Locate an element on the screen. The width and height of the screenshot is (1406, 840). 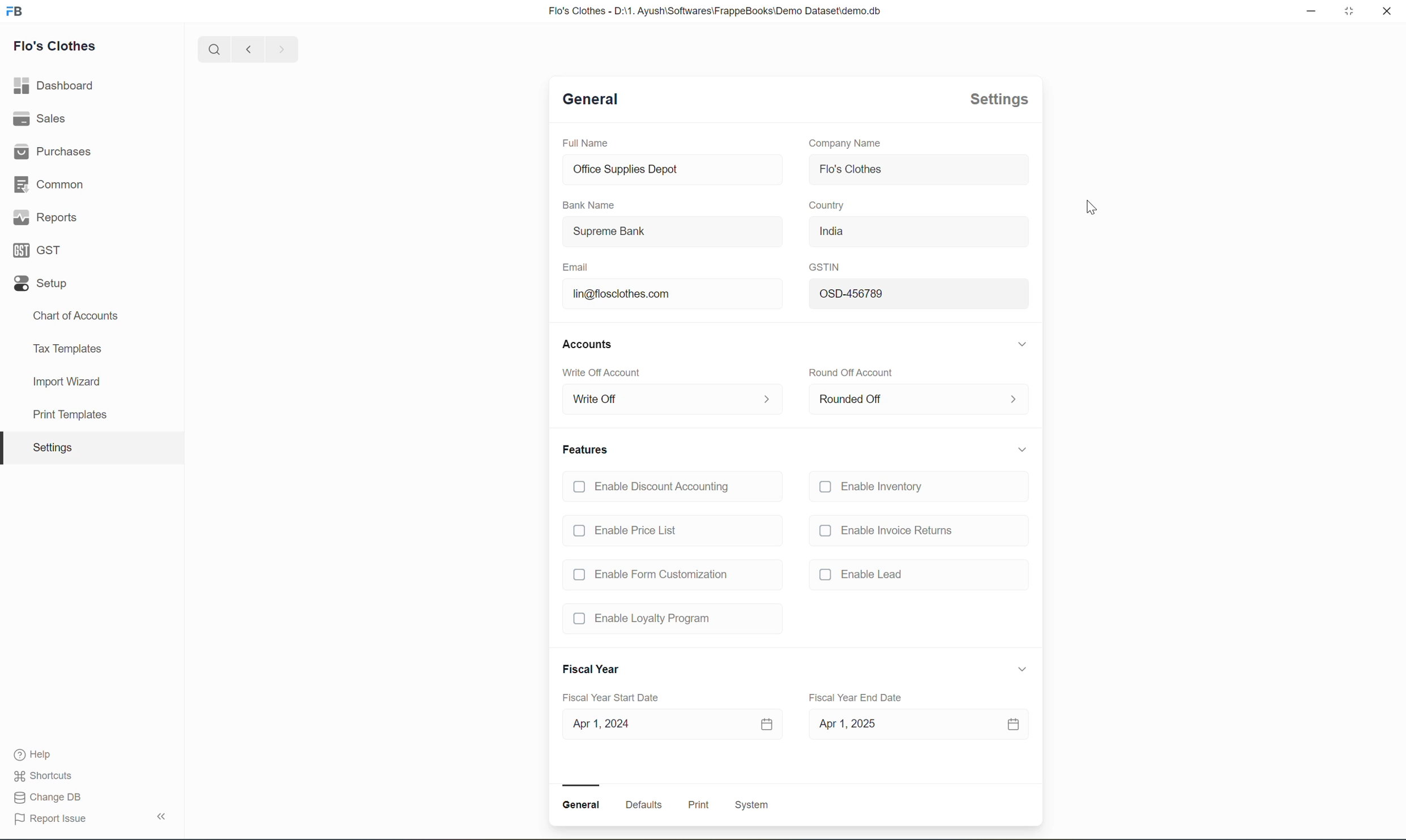
Enable Price List is located at coordinates (627, 530).